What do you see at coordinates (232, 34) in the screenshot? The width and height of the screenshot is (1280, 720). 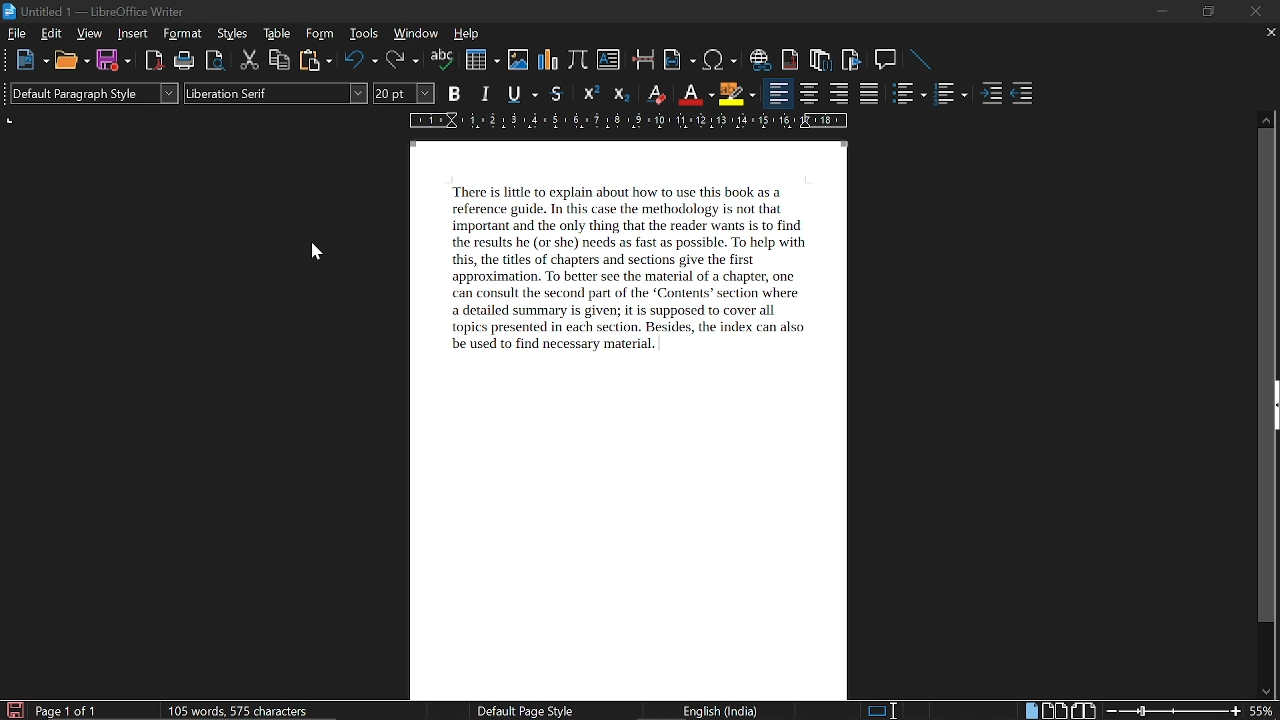 I see `styles` at bounding box center [232, 34].